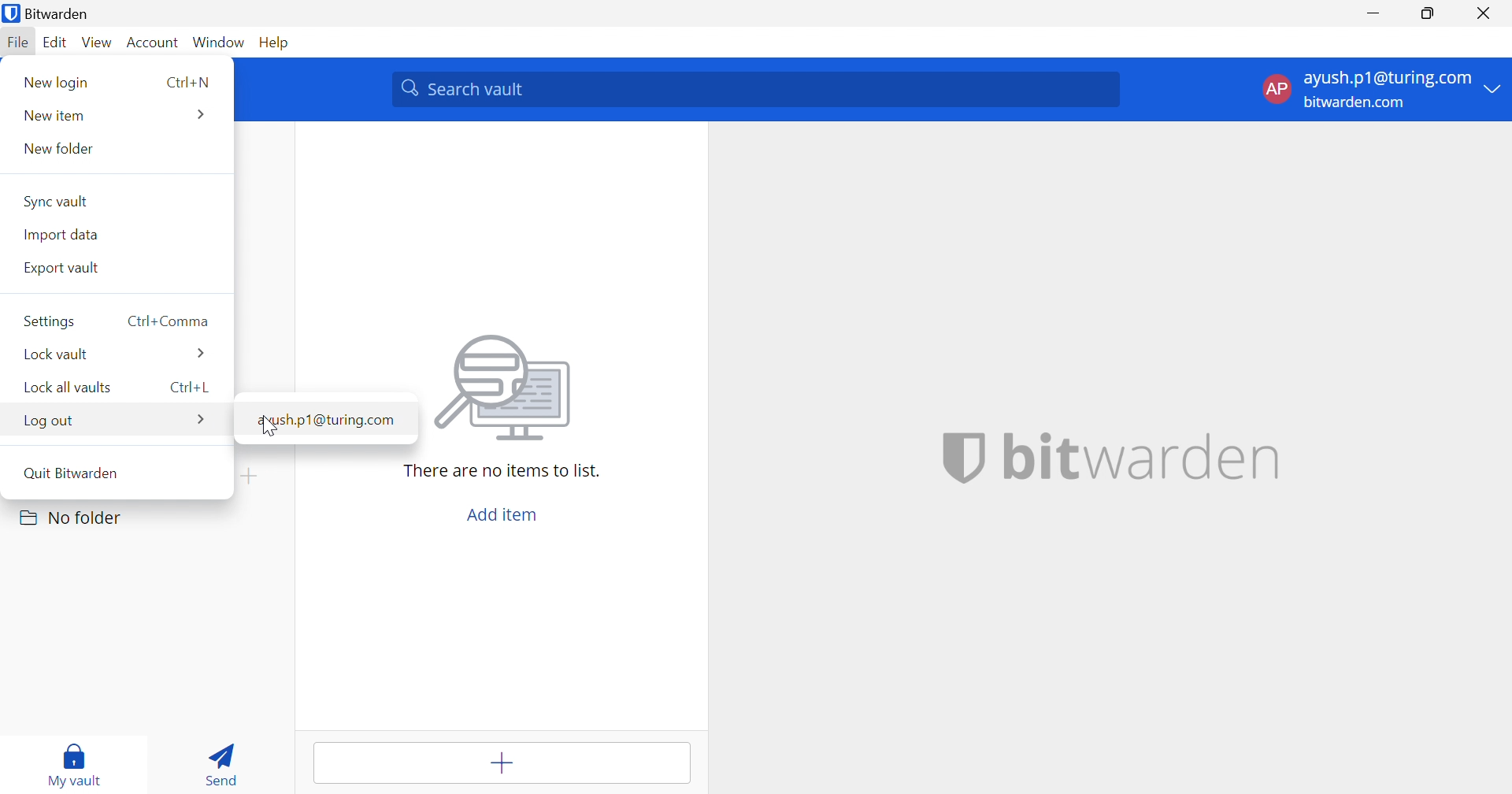  What do you see at coordinates (186, 83) in the screenshot?
I see `Ctrl+N` at bounding box center [186, 83].